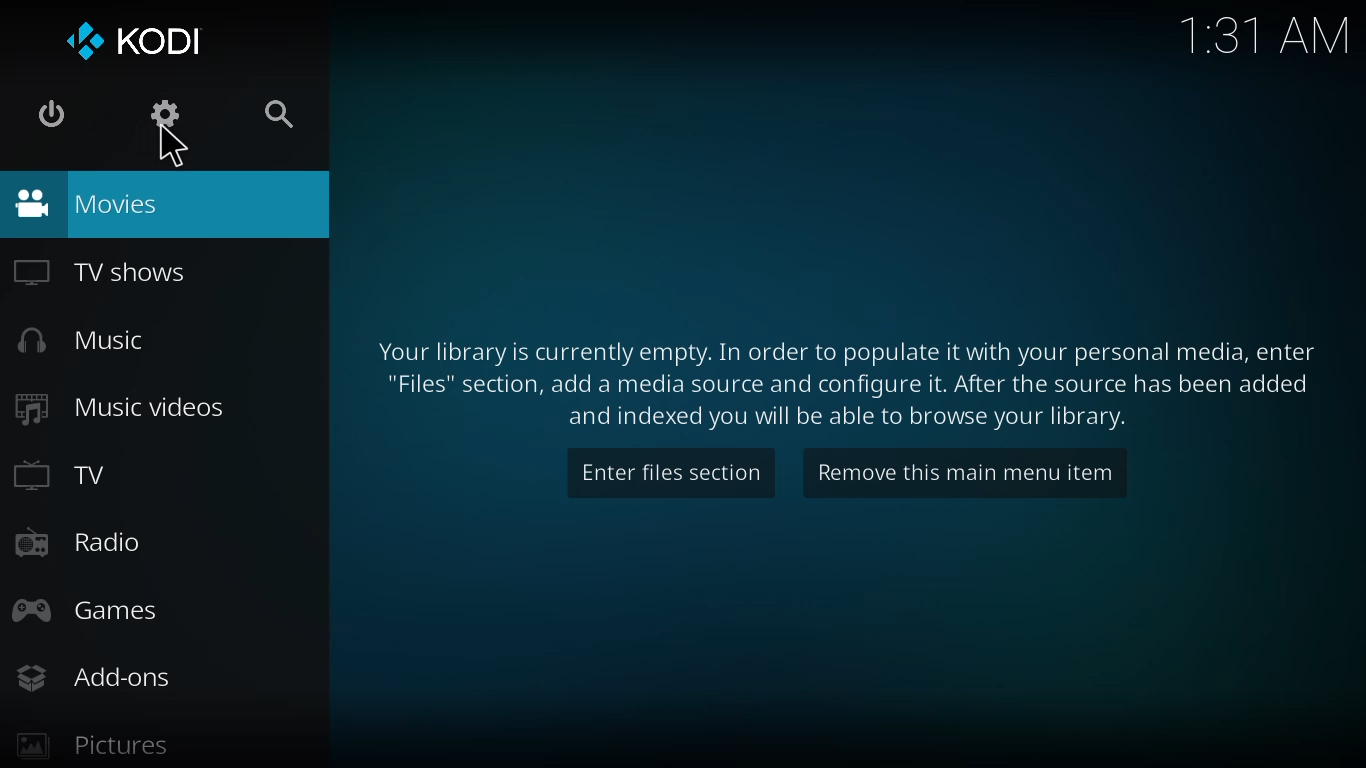 This screenshot has height=768, width=1366. Describe the element at coordinates (51, 114) in the screenshot. I see `power` at that location.